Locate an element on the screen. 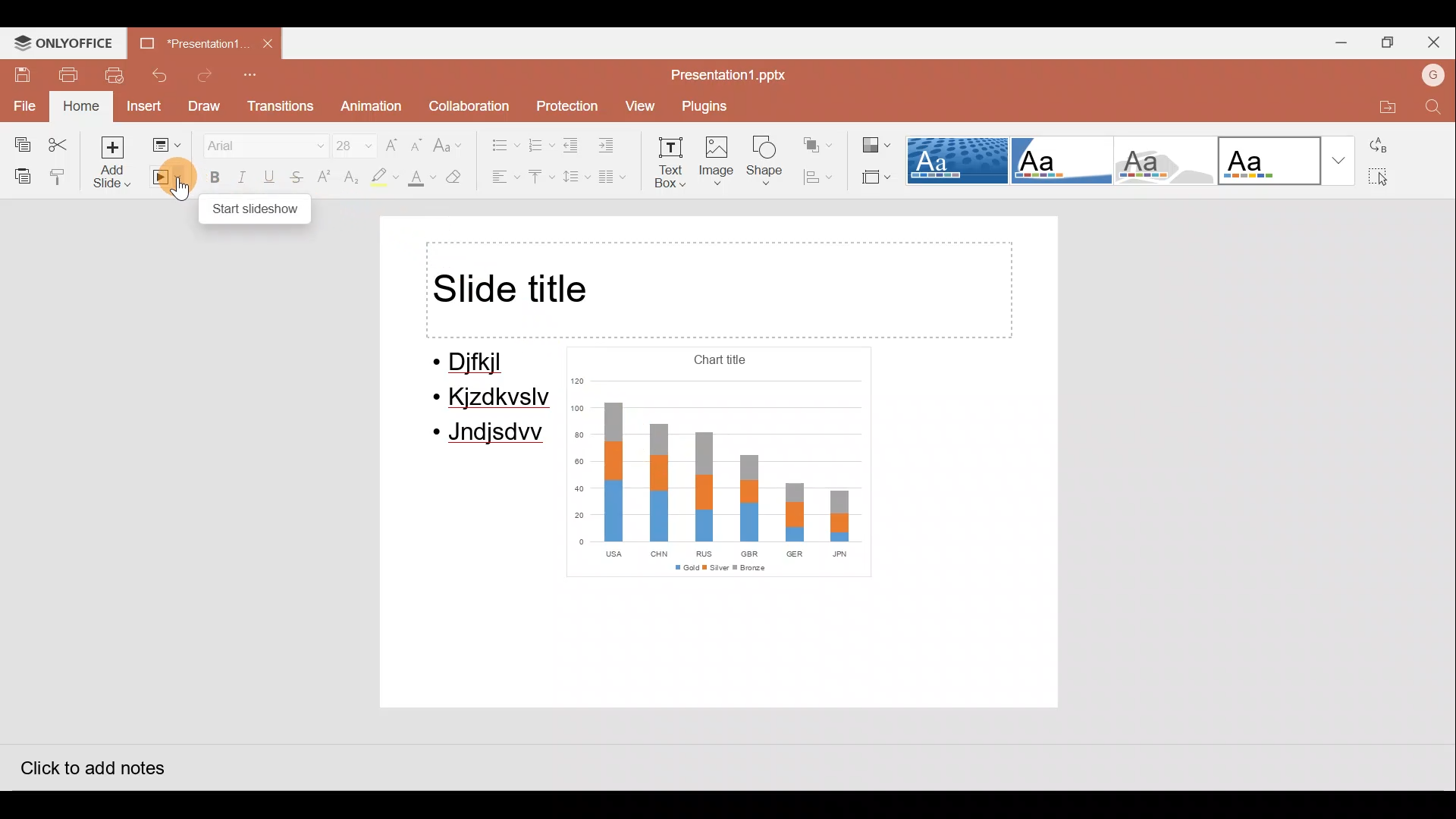  Open file location is located at coordinates (1379, 107).